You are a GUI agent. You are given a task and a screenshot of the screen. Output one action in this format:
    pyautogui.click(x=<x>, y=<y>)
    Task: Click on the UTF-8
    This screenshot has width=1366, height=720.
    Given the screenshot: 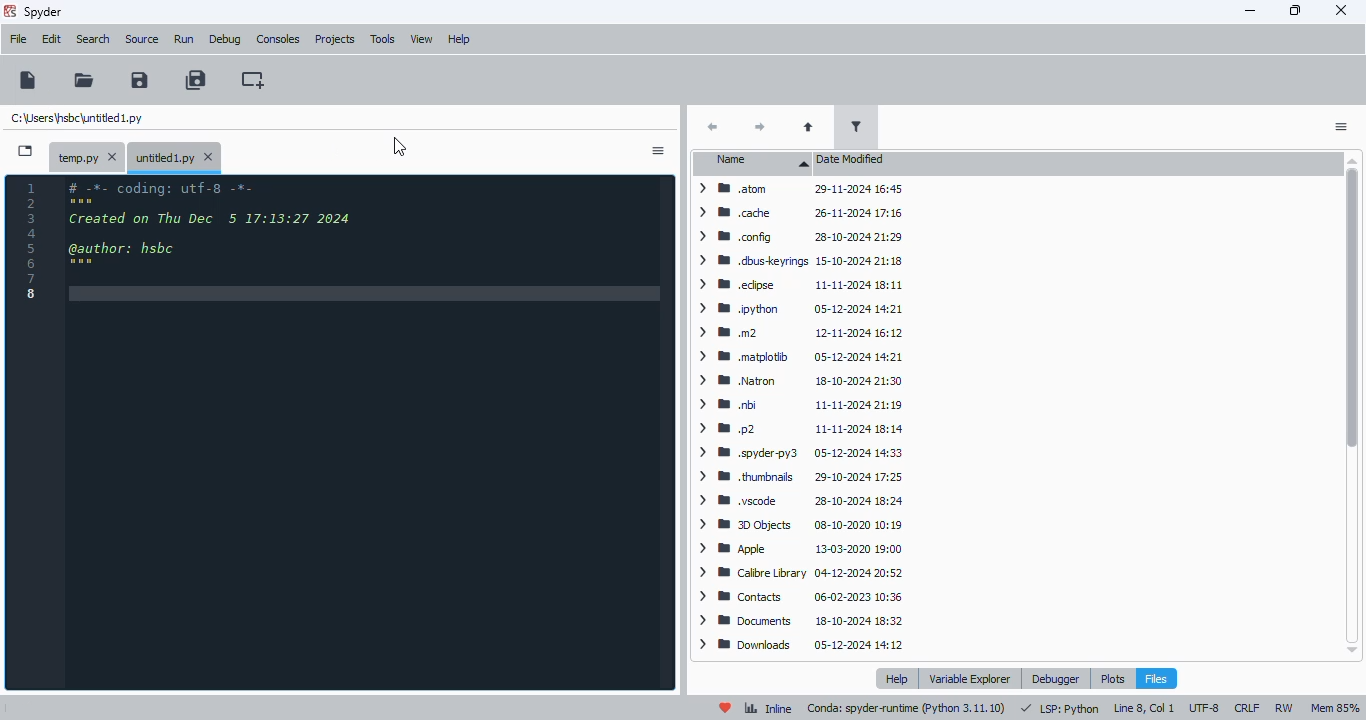 What is the action you would take?
    pyautogui.click(x=1205, y=709)
    